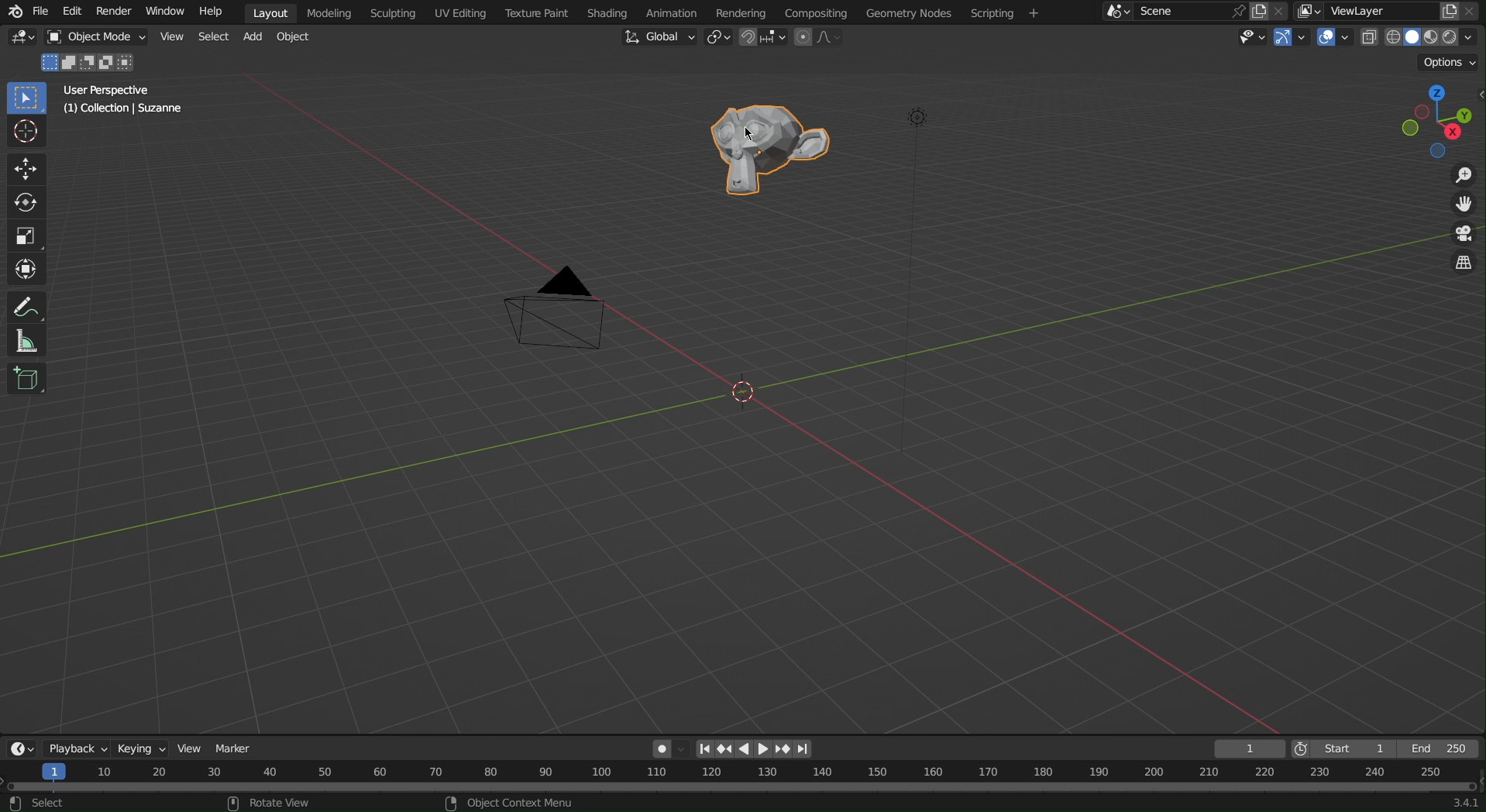  What do you see at coordinates (165, 12) in the screenshot?
I see `Window` at bounding box center [165, 12].